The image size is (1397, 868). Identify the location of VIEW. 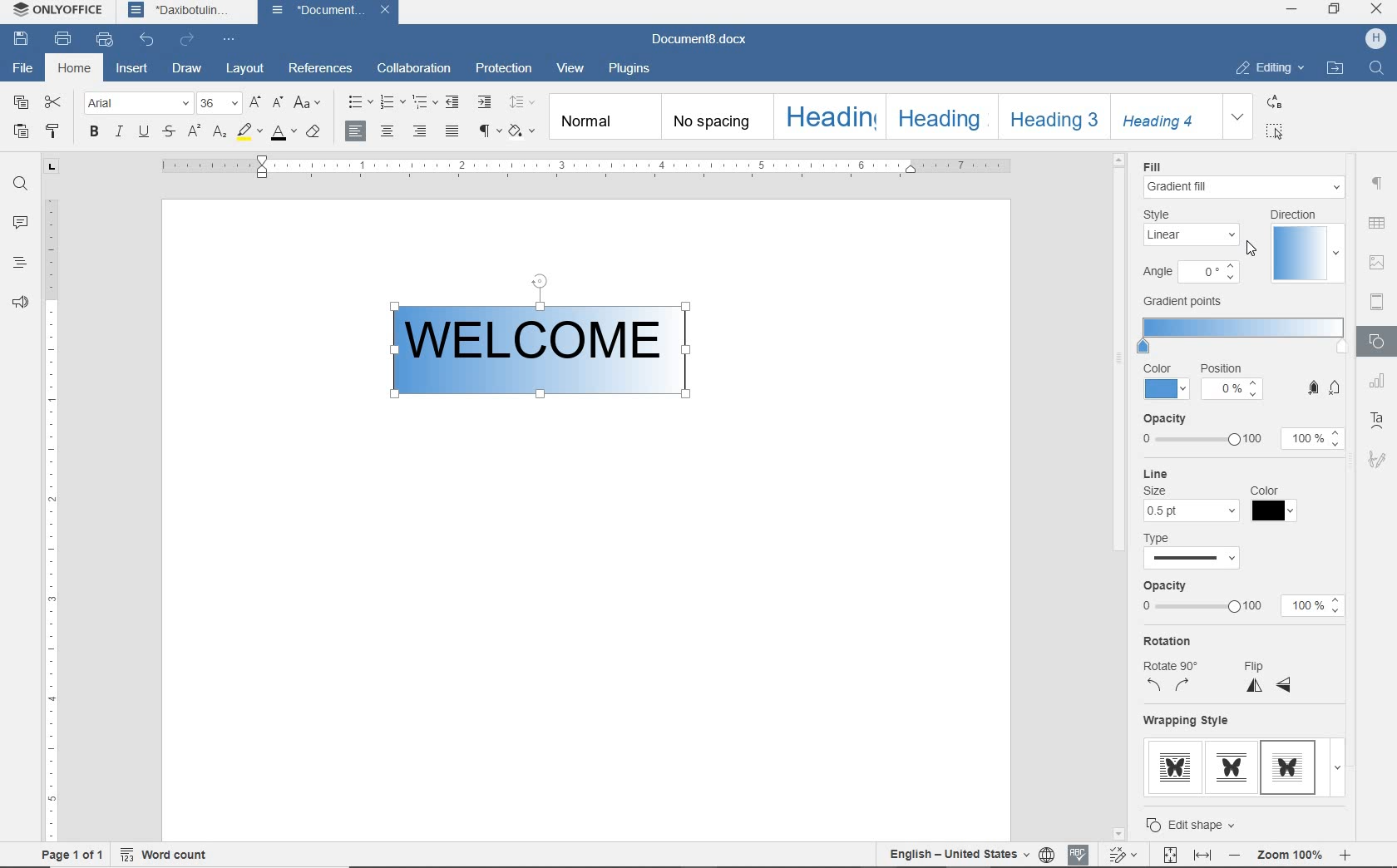
(570, 67).